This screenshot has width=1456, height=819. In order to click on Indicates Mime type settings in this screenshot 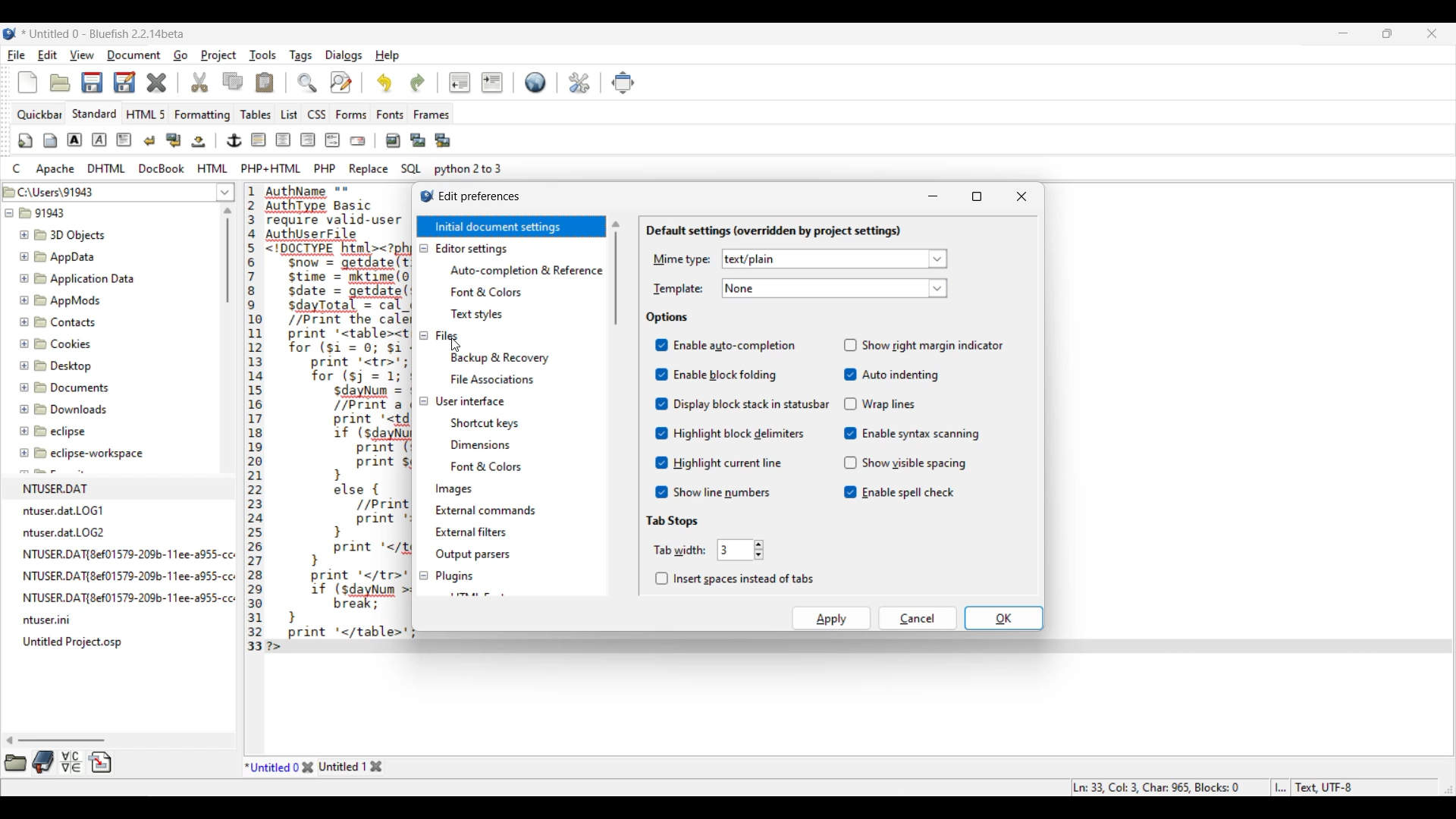, I will do `click(682, 260)`.